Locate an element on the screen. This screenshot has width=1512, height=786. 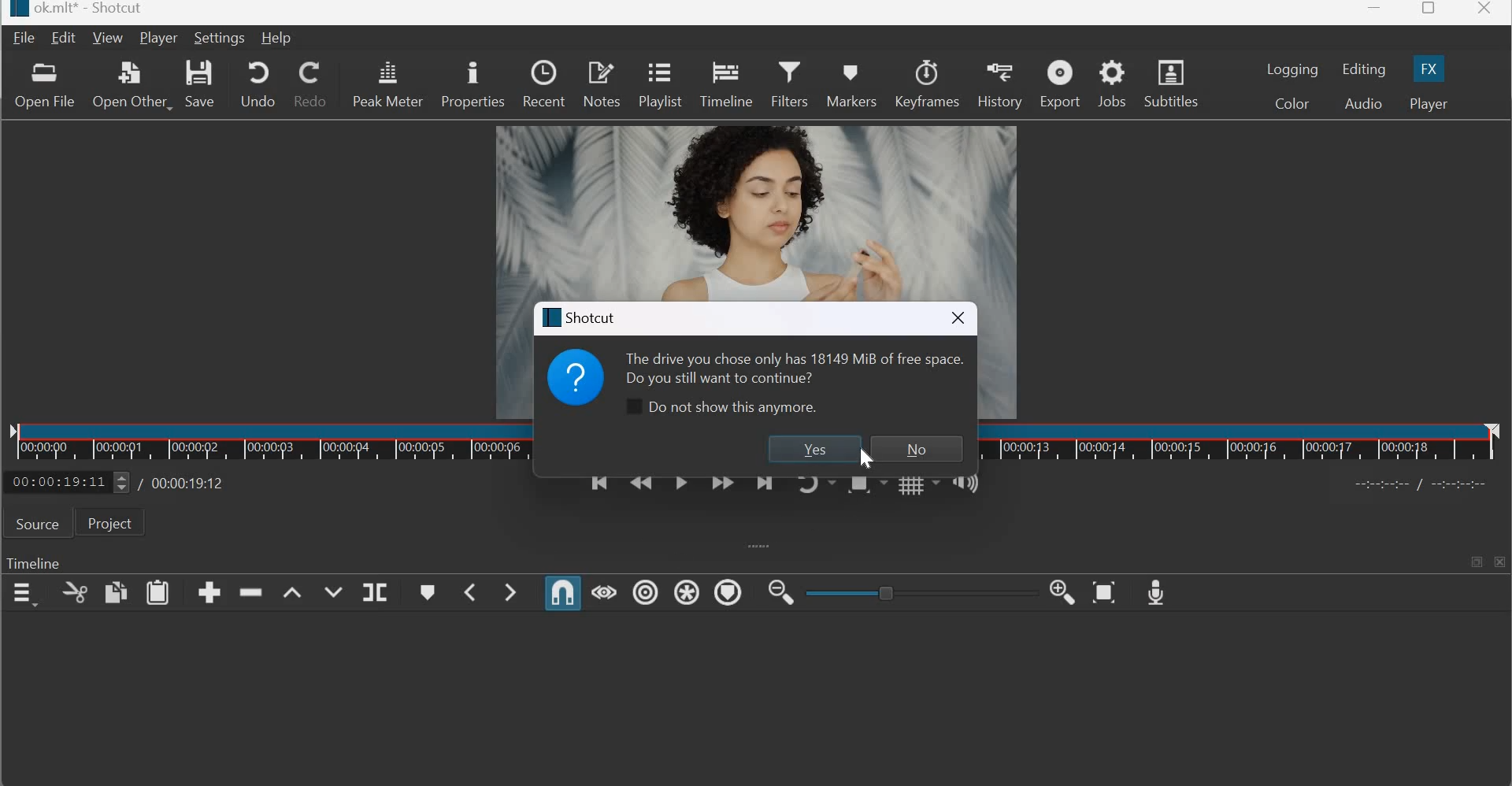
Minimize is located at coordinates (1375, 13).